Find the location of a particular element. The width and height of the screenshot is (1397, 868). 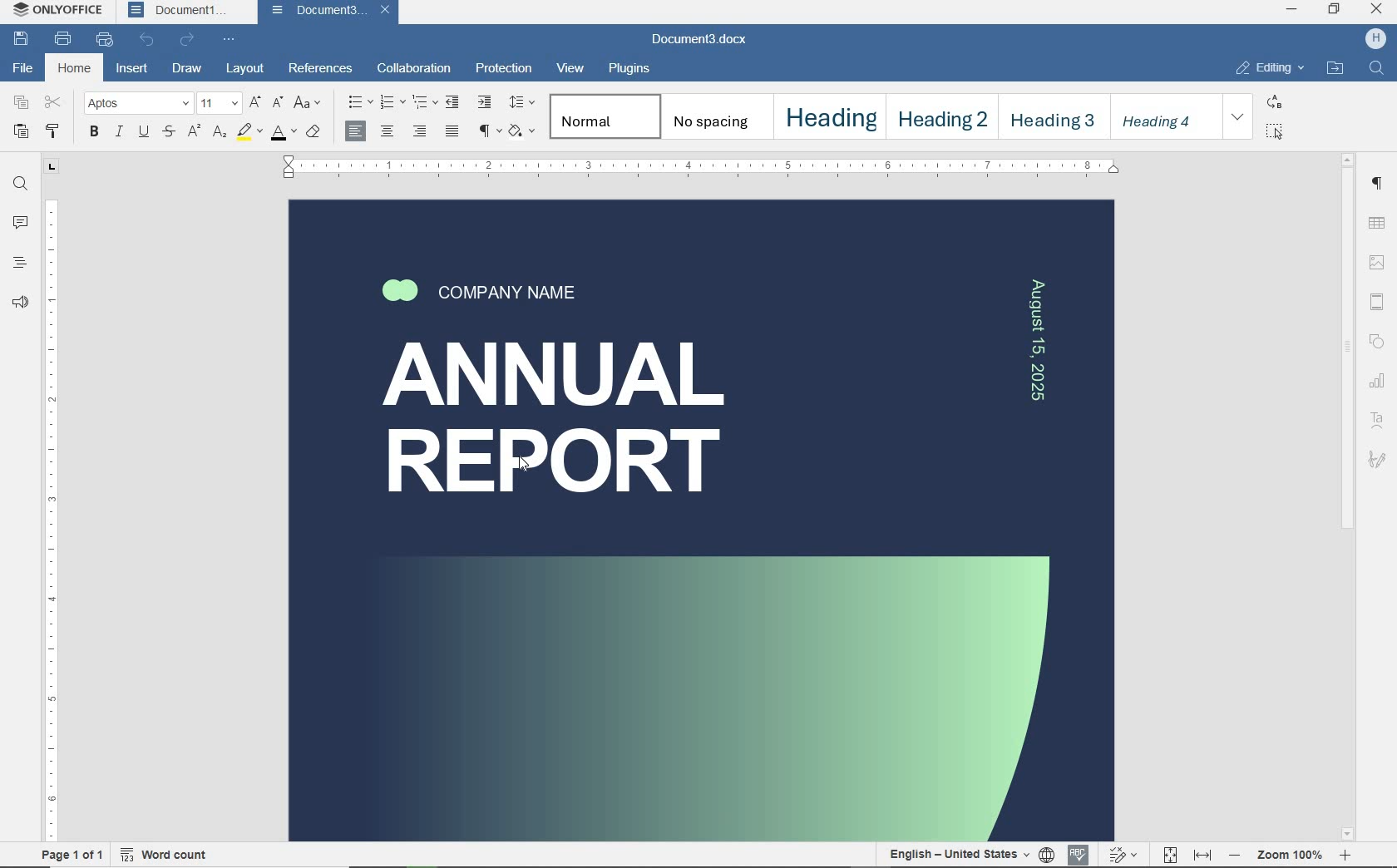

change case is located at coordinates (309, 103).